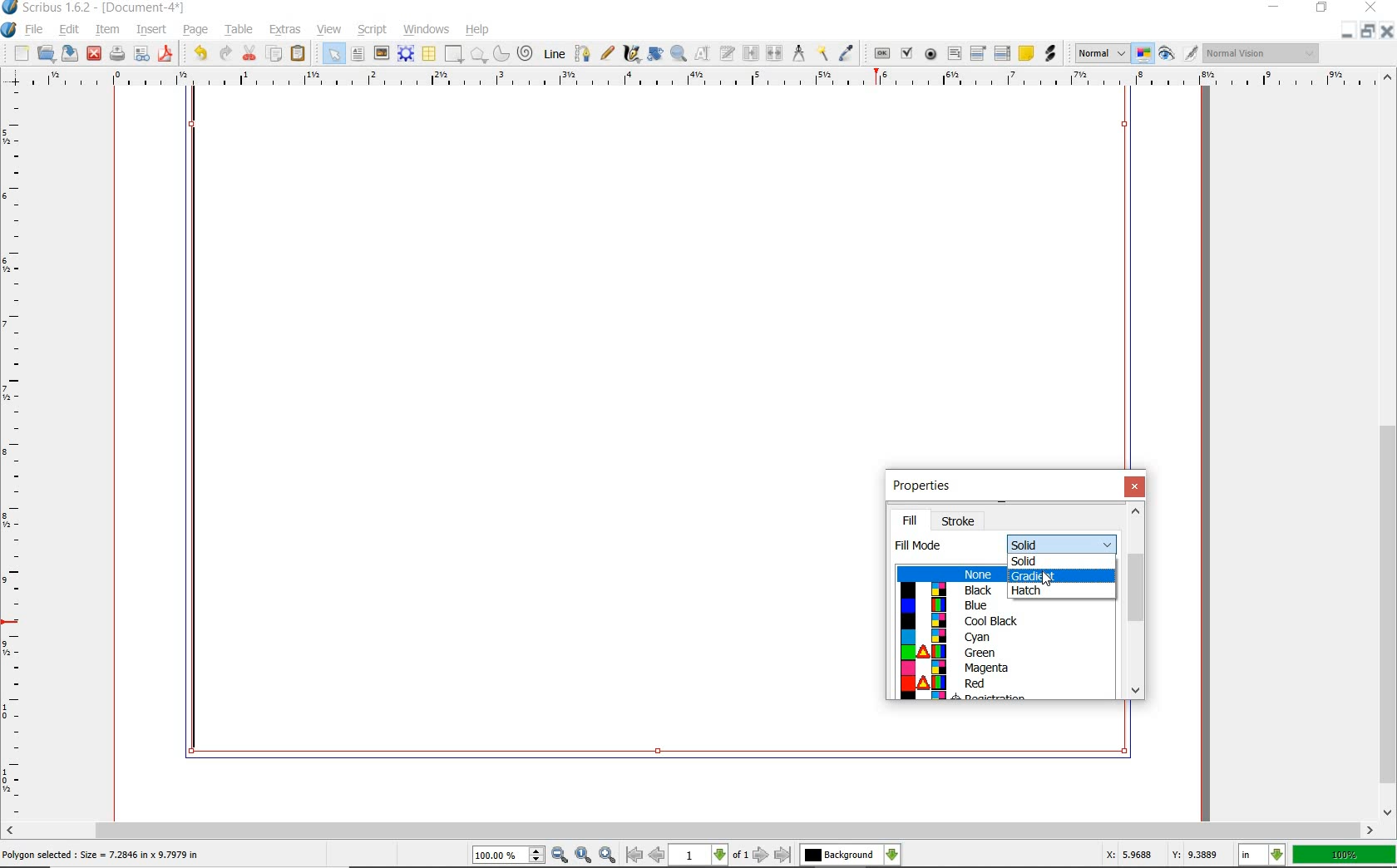  What do you see at coordinates (1275, 7) in the screenshot?
I see `minimize` at bounding box center [1275, 7].